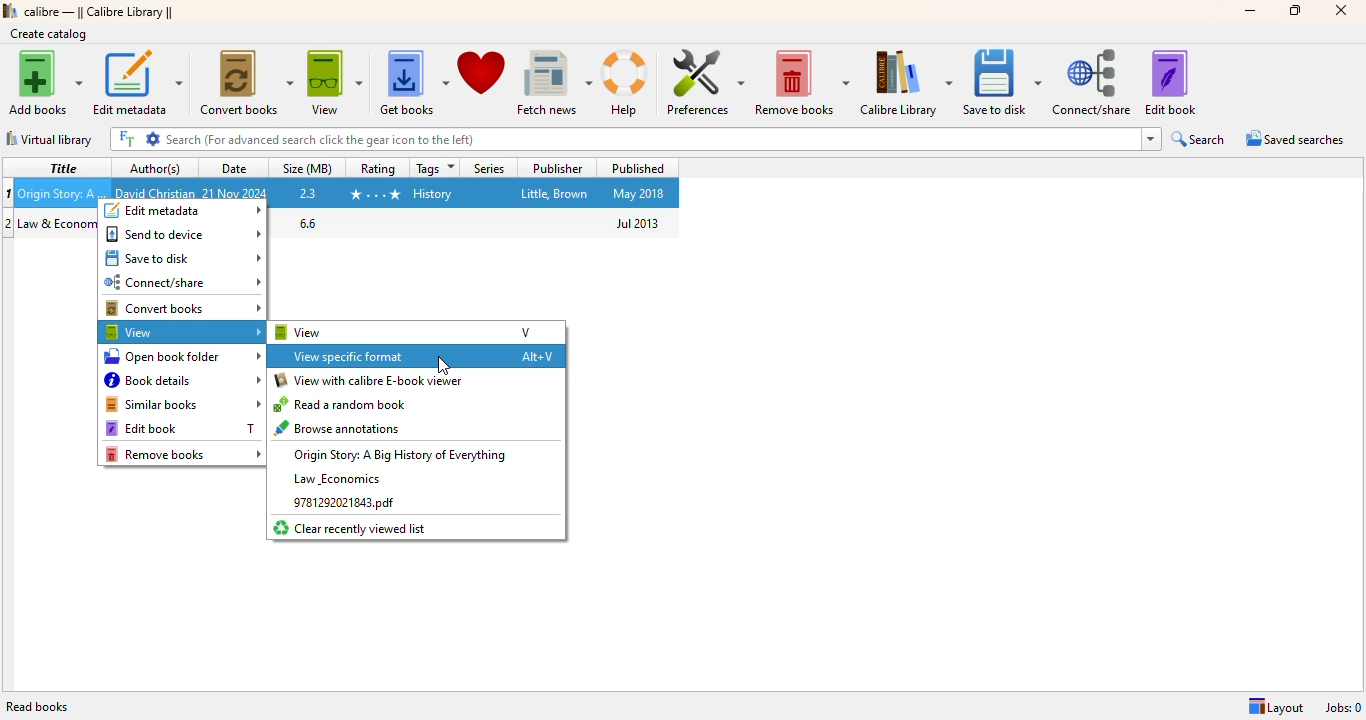 The image size is (1366, 720). I want to click on Title, so click(58, 224).